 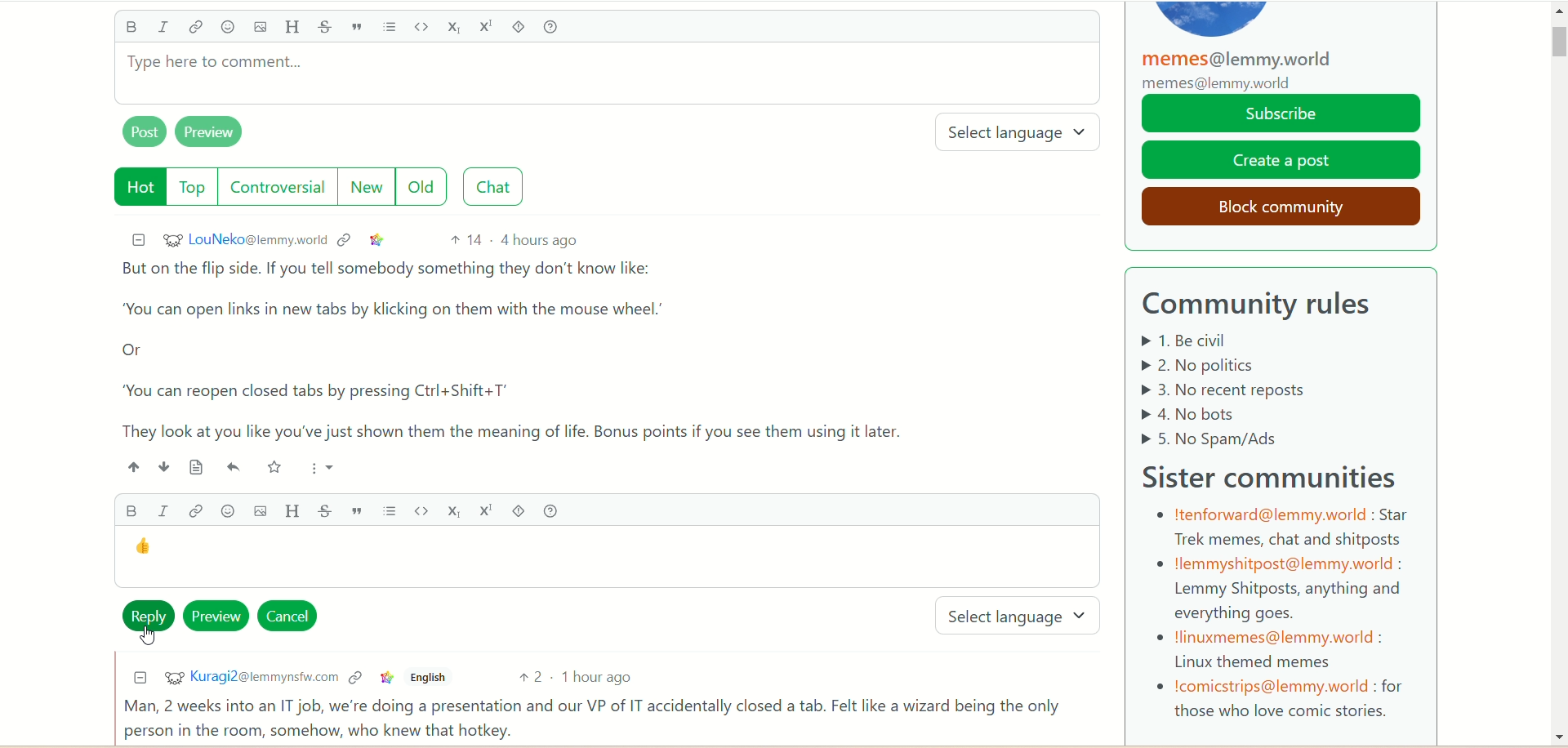 What do you see at coordinates (484, 510) in the screenshot?
I see `superscript` at bounding box center [484, 510].